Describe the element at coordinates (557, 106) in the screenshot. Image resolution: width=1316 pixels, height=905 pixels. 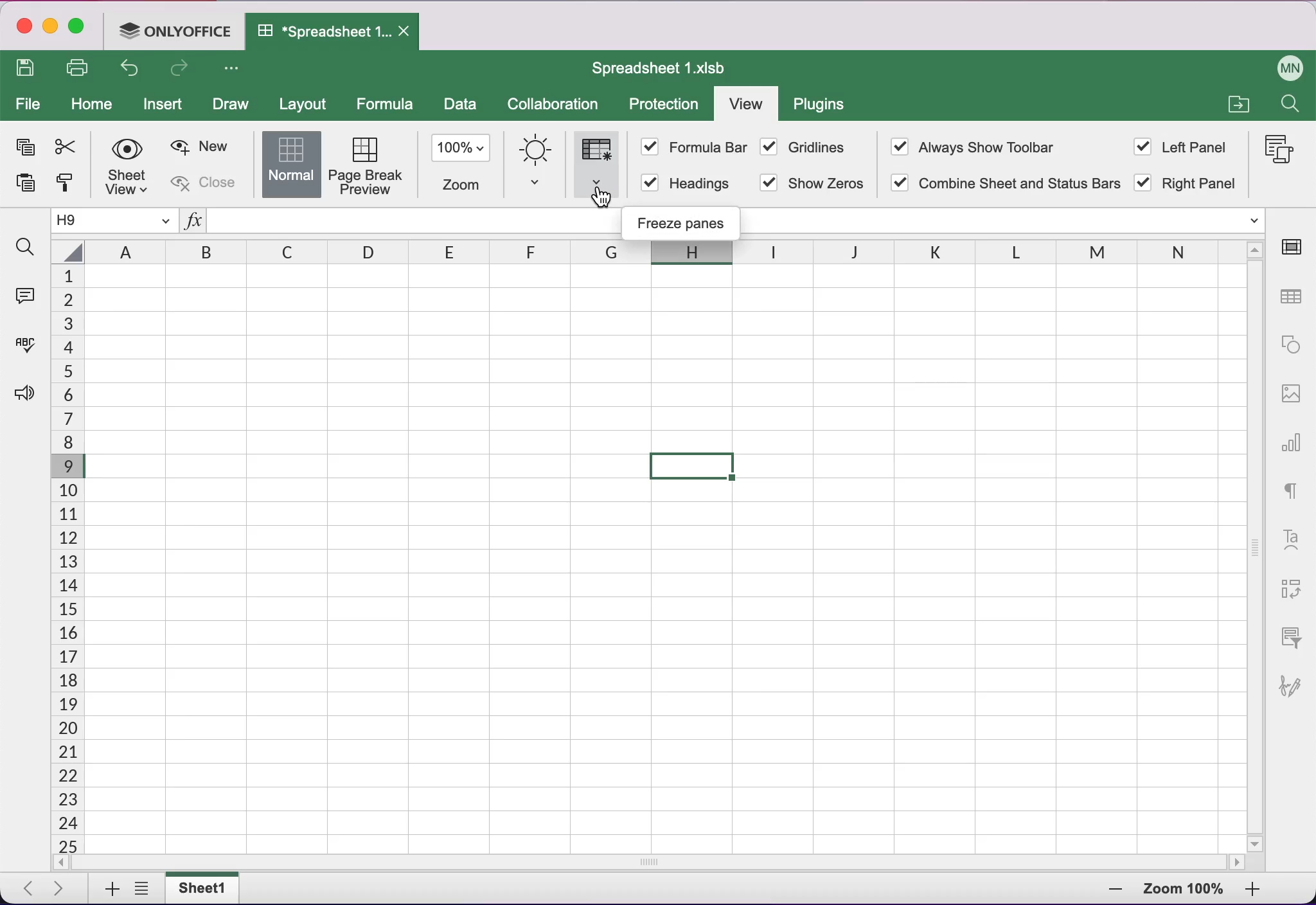
I see `collaboration` at that location.